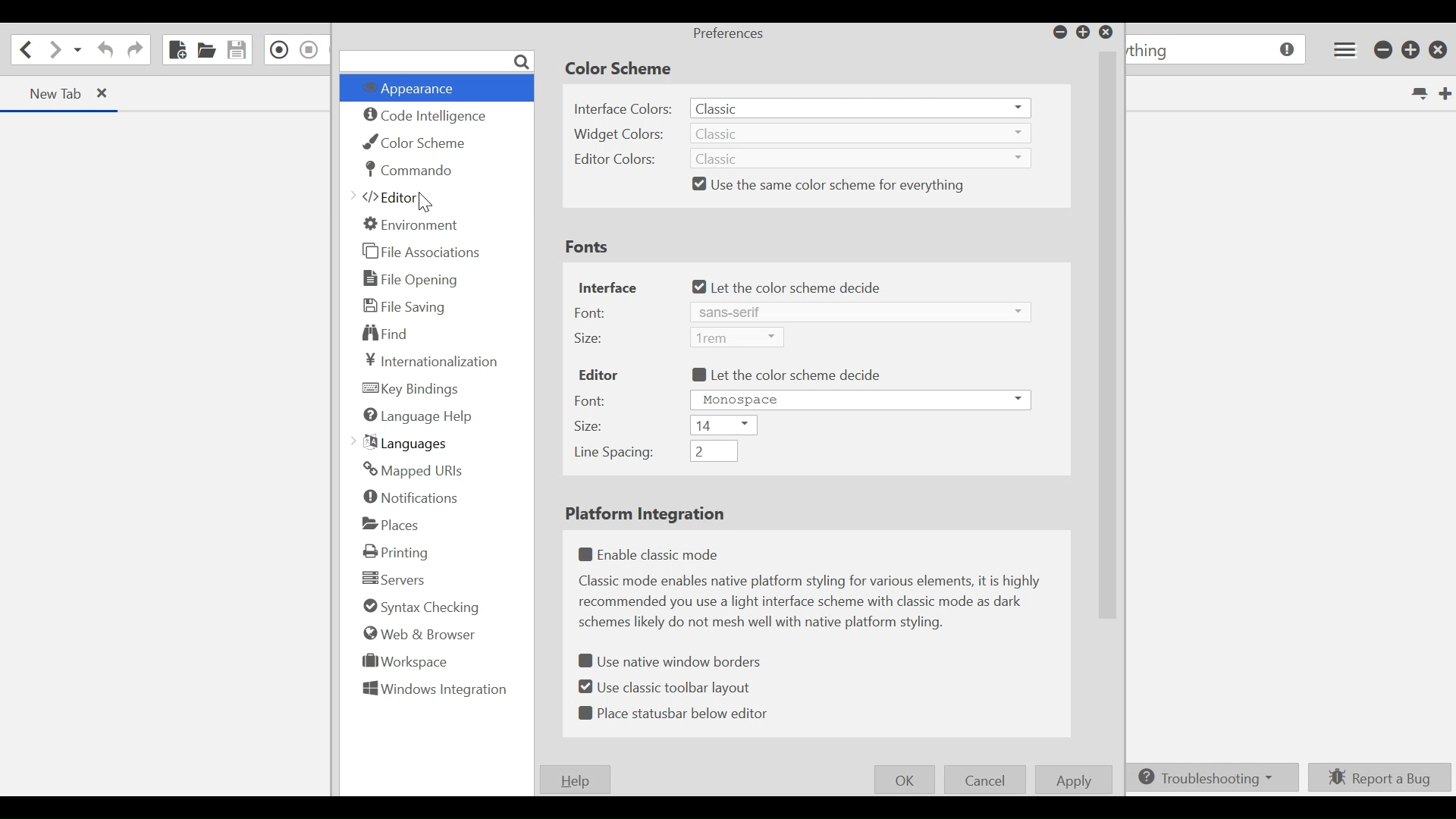 This screenshot has height=819, width=1456. What do you see at coordinates (1445, 92) in the screenshot?
I see `New Tab` at bounding box center [1445, 92].